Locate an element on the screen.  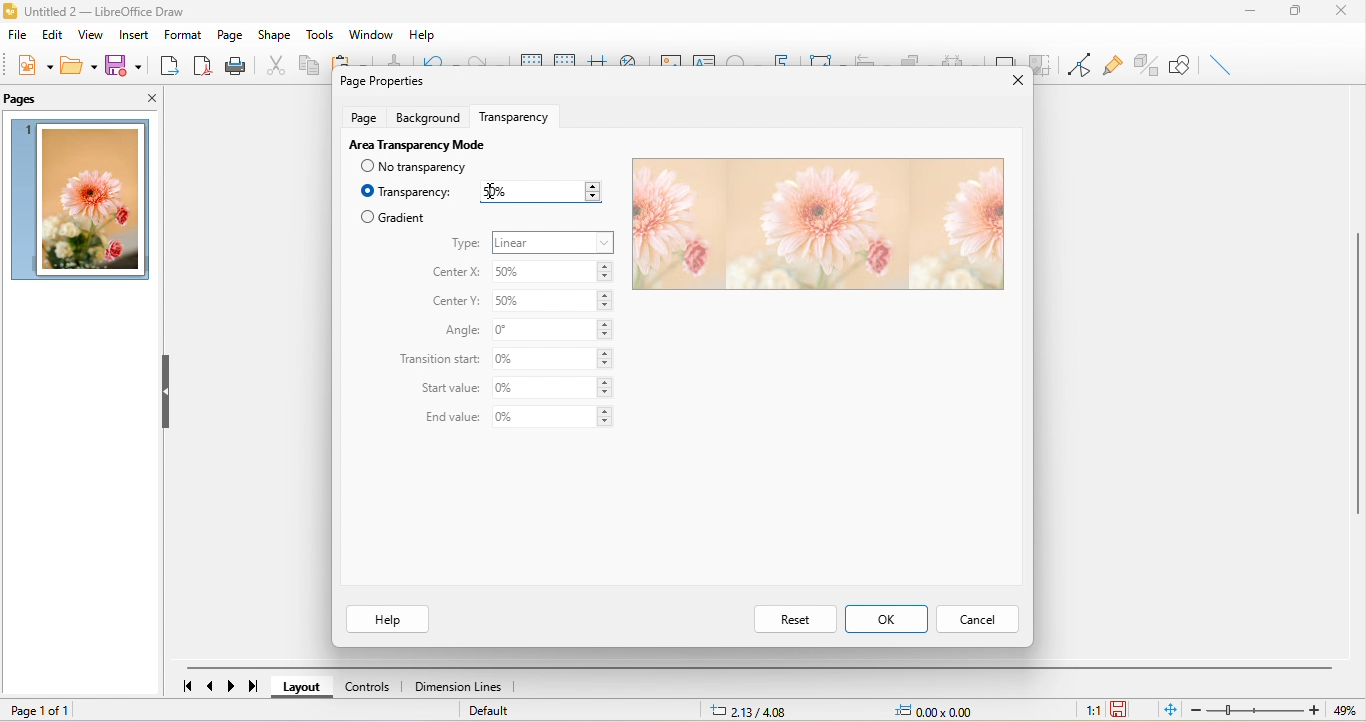
copy is located at coordinates (307, 64).